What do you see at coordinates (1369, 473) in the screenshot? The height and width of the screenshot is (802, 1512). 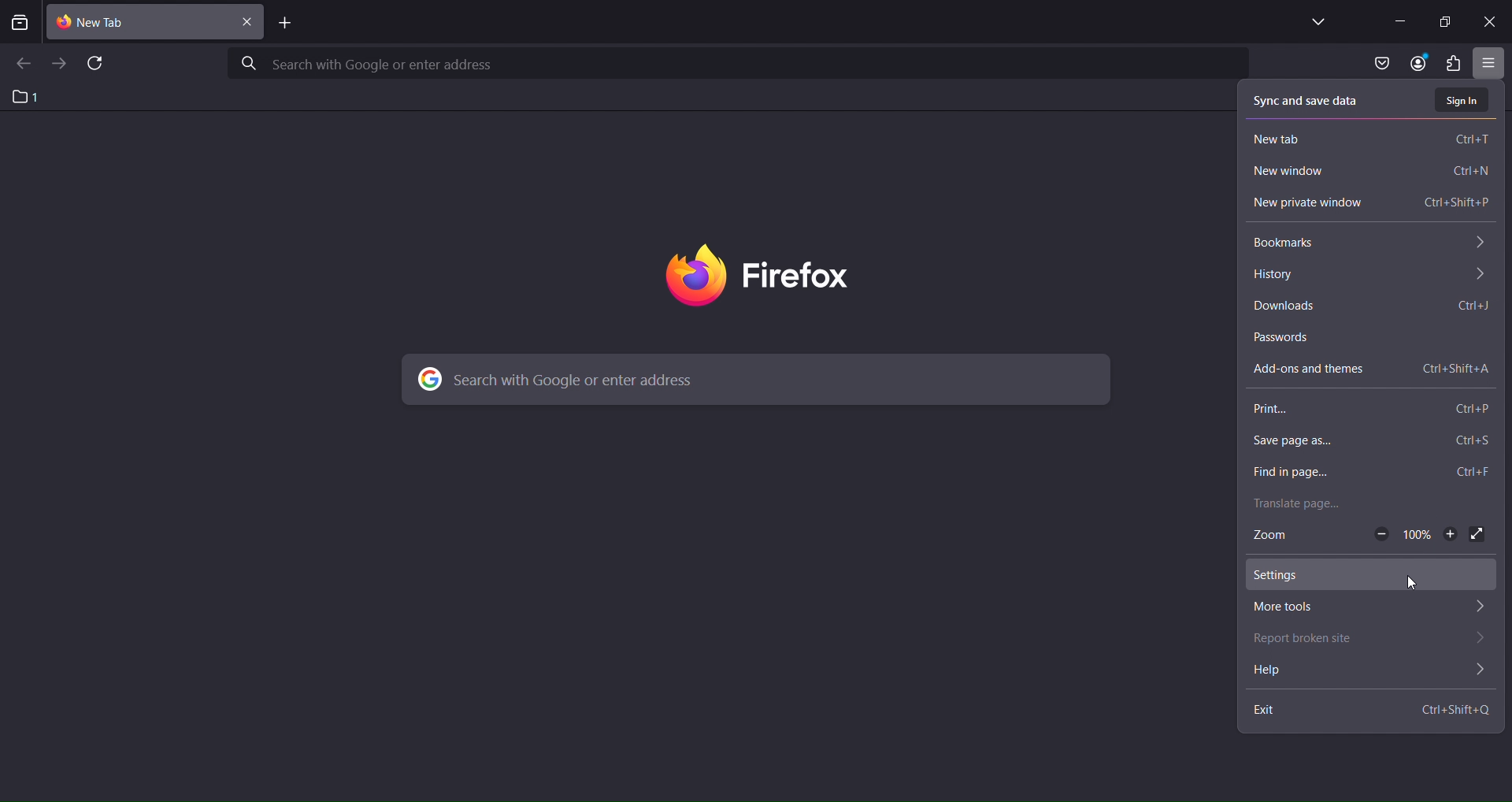 I see `find in page` at bounding box center [1369, 473].